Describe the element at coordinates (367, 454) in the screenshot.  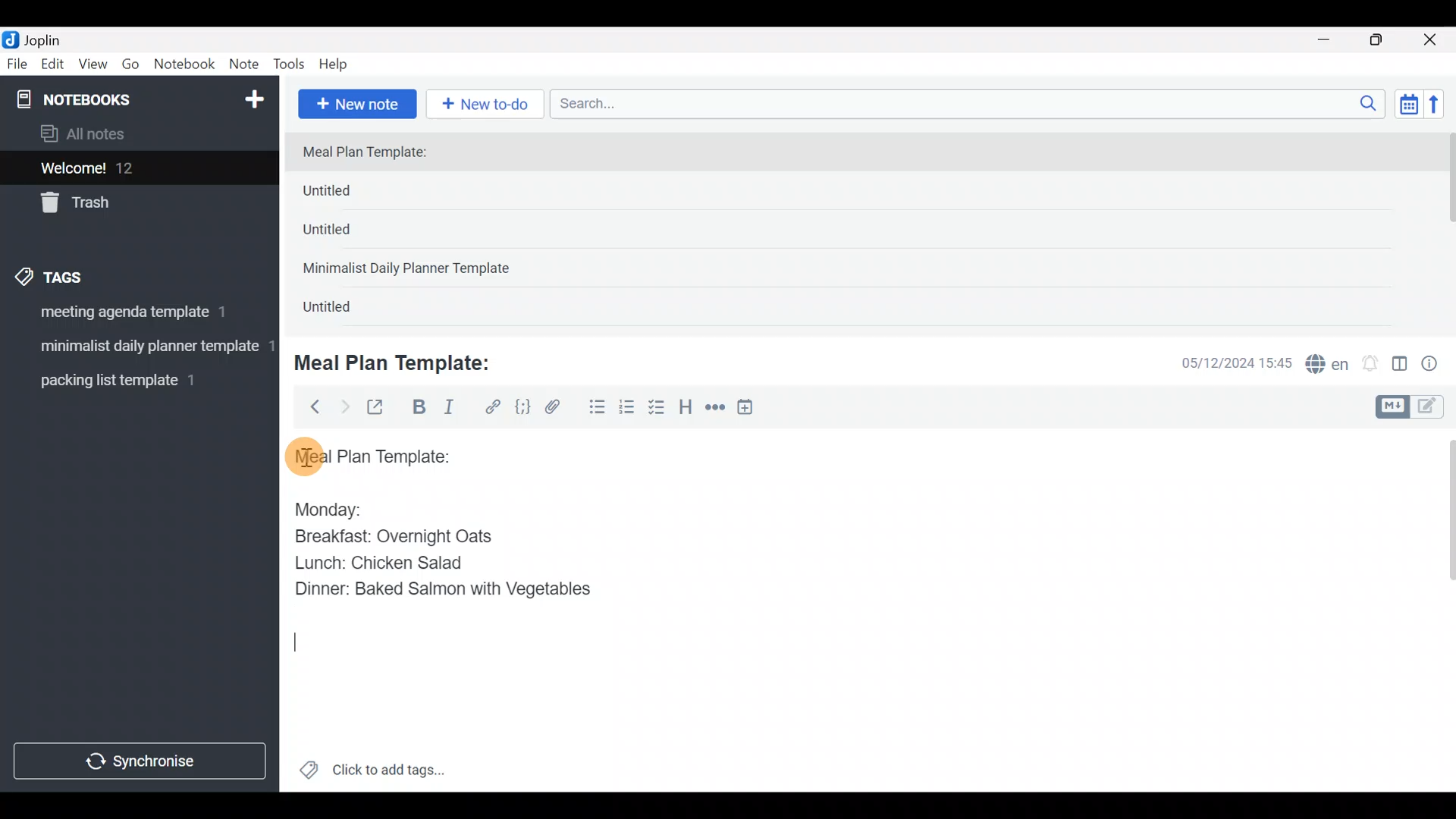
I see `Meal plan template` at that location.